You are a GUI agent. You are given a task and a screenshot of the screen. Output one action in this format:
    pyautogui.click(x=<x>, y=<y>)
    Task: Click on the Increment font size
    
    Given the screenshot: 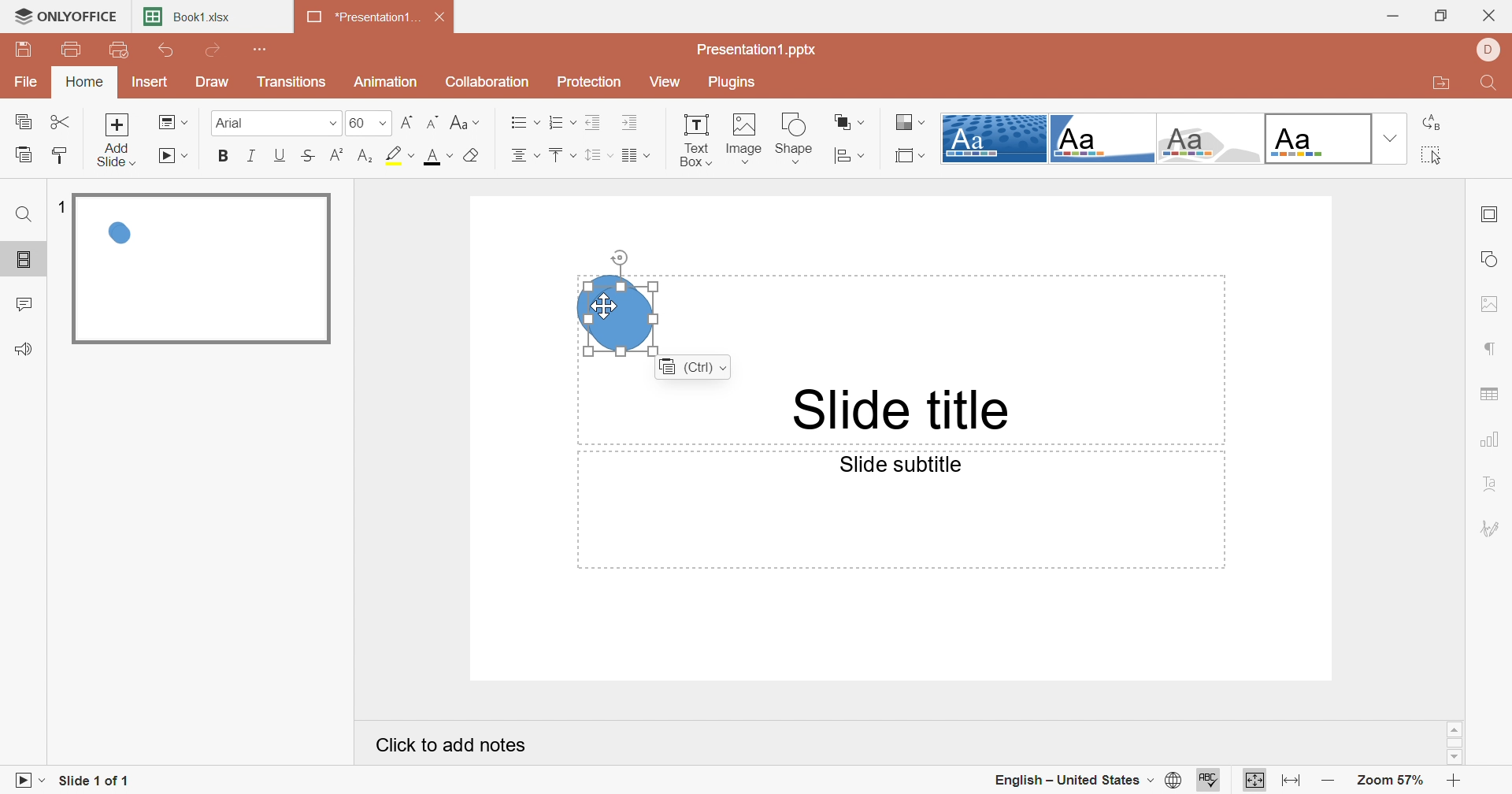 What is the action you would take?
    pyautogui.click(x=407, y=121)
    